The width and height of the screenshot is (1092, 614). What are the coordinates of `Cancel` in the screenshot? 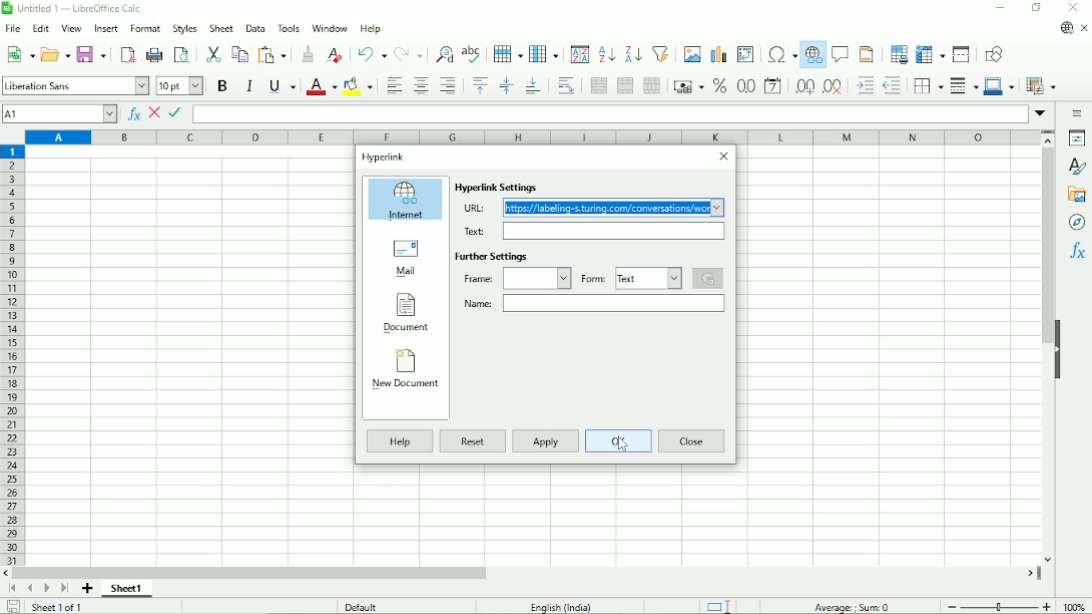 It's located at (155, 114).